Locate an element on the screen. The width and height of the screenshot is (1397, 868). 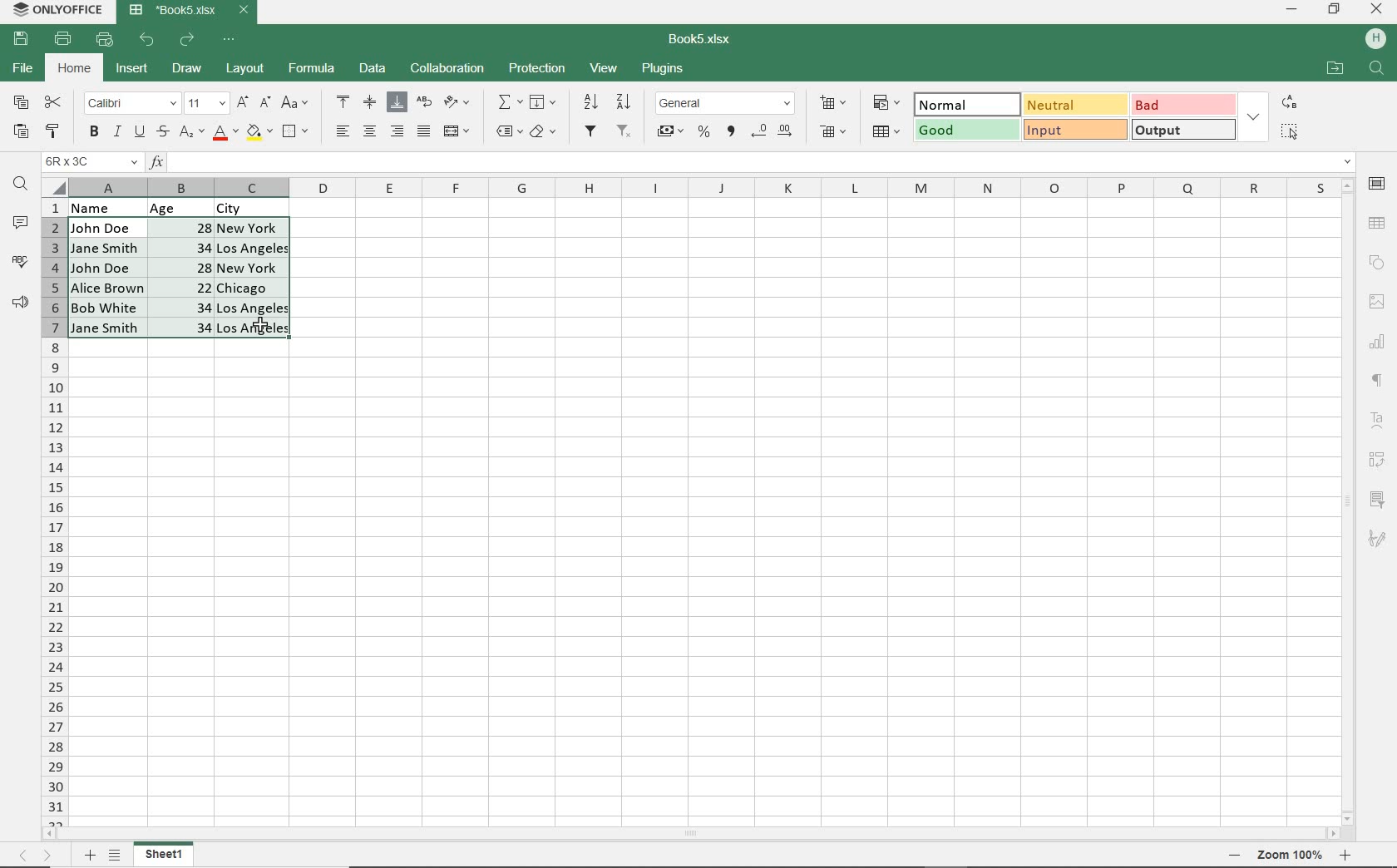
OUTPUT is located at coordinates (1182, 129).